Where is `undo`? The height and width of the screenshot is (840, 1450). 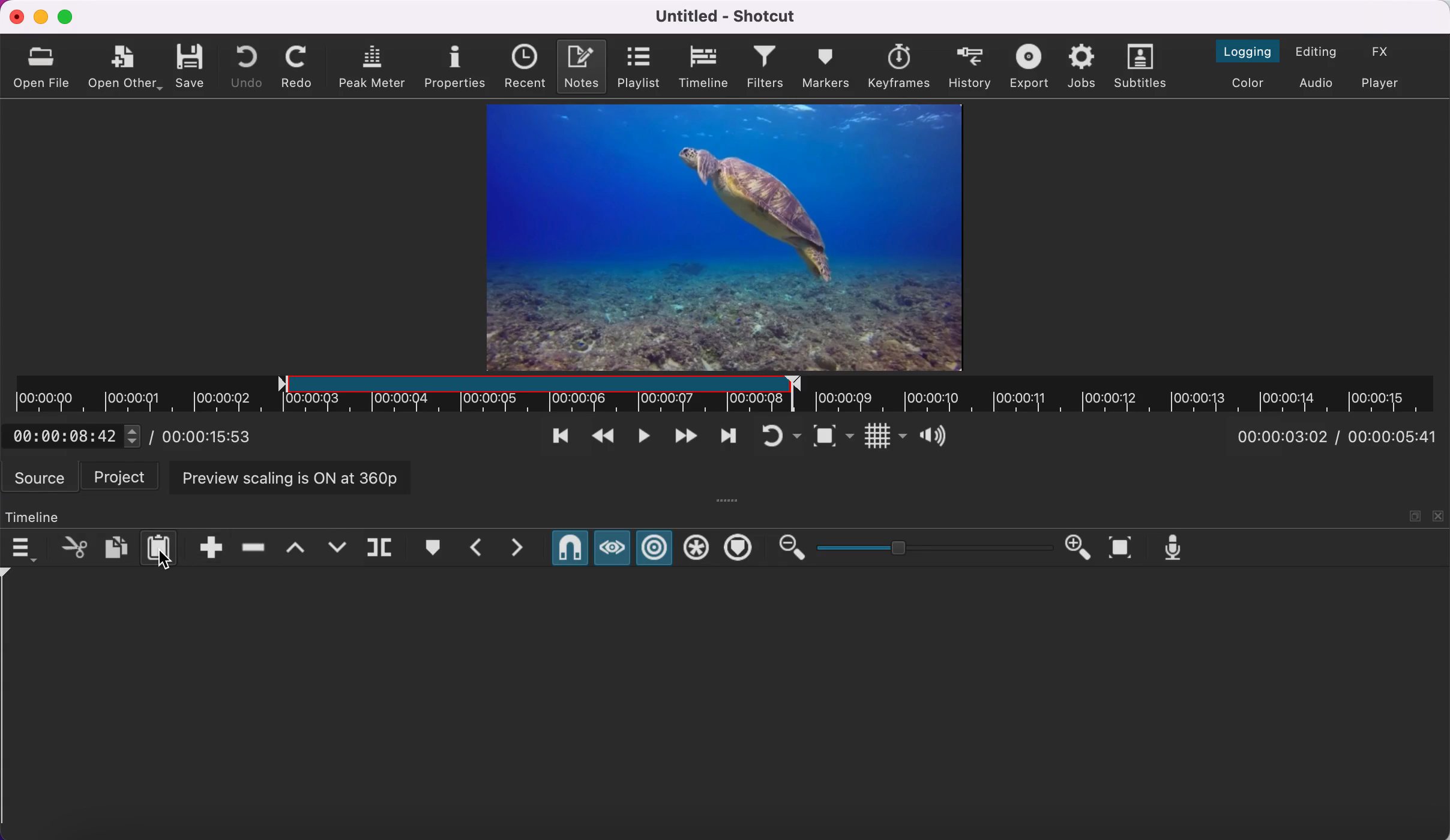 undo is located at coordinates (249, 65).